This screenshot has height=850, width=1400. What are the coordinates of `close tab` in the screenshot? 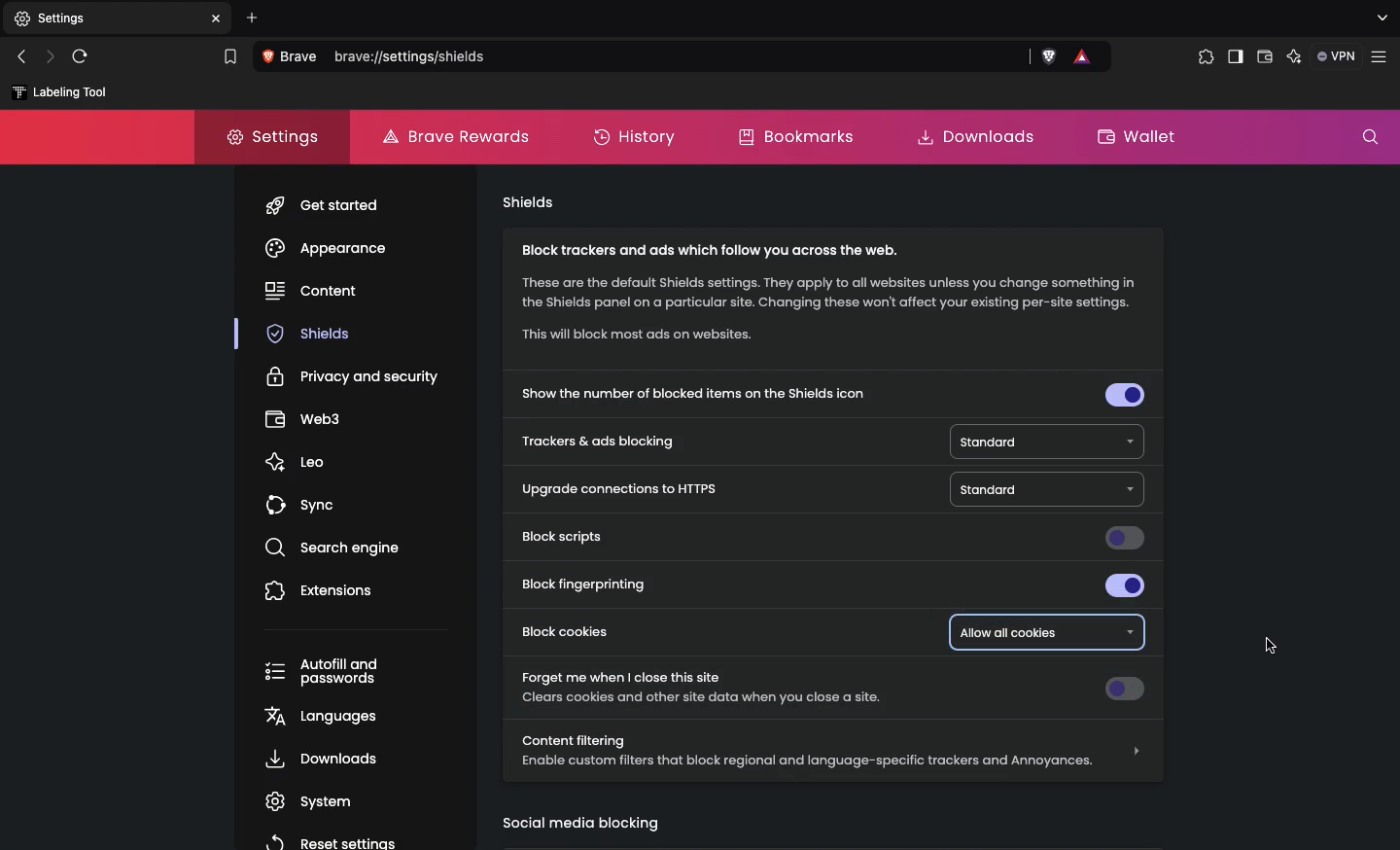 It's located at (218, 18).